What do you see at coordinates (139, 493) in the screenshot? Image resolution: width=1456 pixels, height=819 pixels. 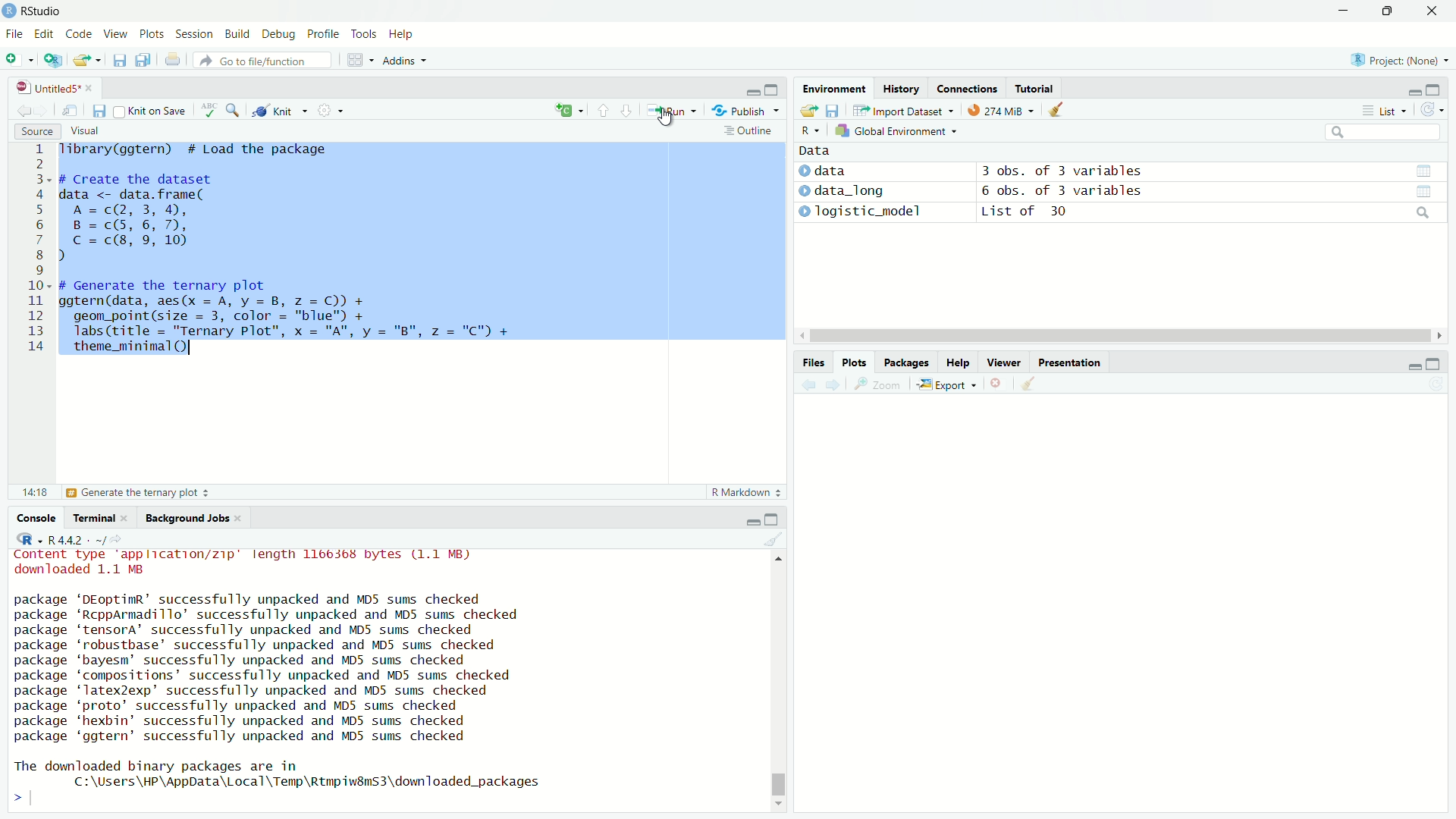 I see `Generate the ternary plot` at bounding box center [139, 493].